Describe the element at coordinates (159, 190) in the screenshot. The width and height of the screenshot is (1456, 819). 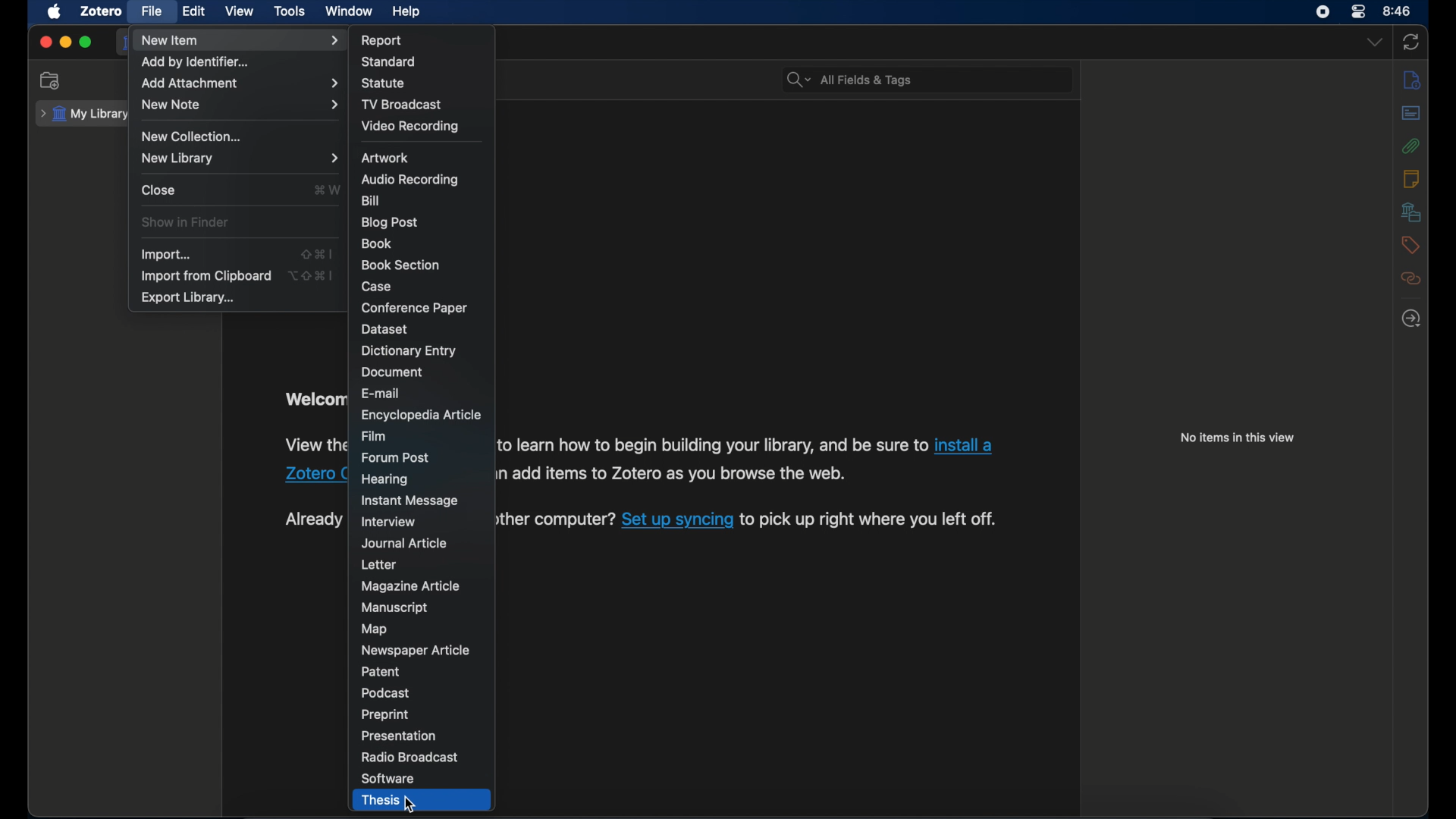
I see `close` at that location.